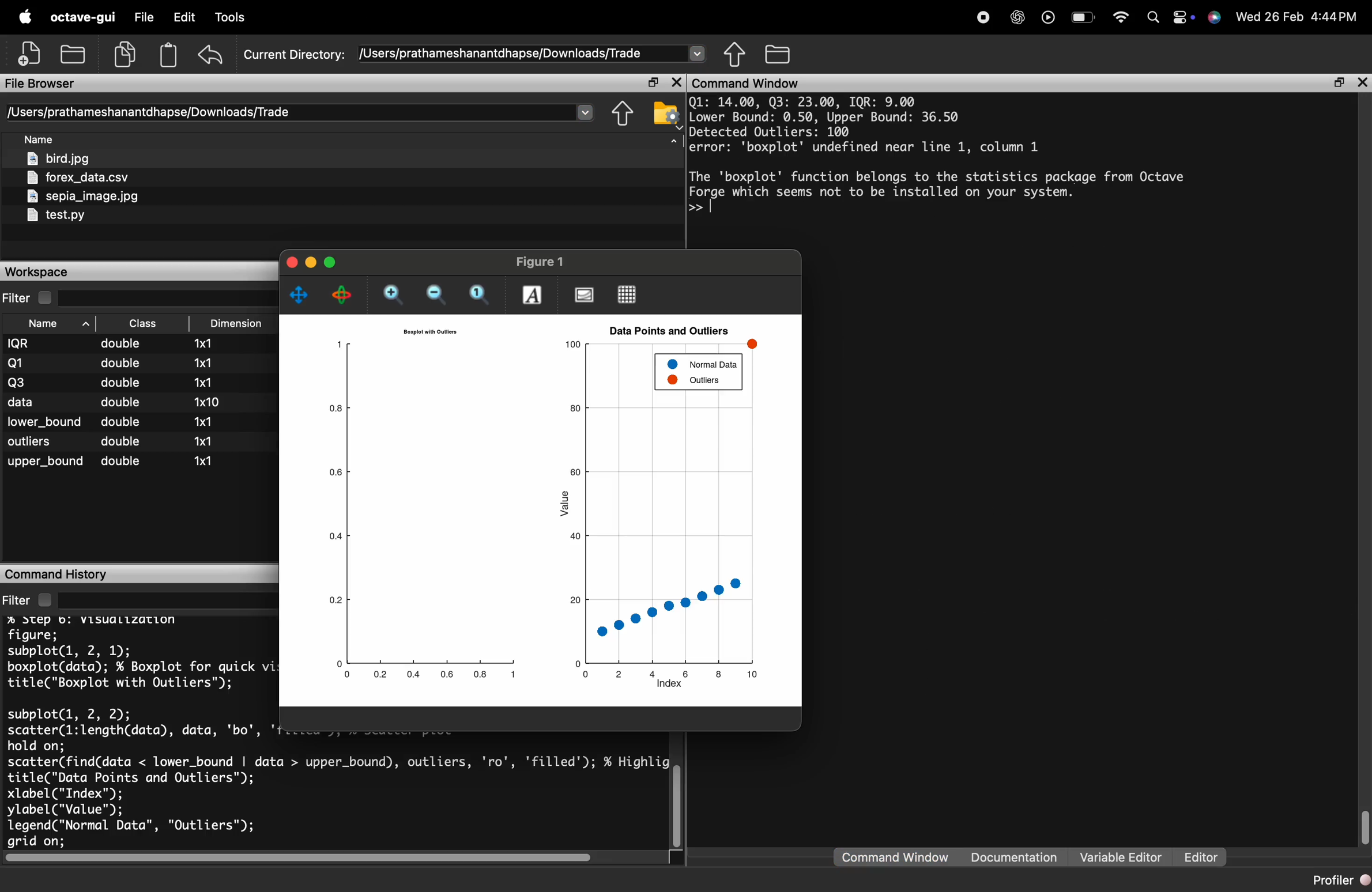 The width and height of the screenshot is (1372, 892). What do you see at coordinates (331, 263) in the screenshot?
I see `maximise` at bounding box center [331, 263].